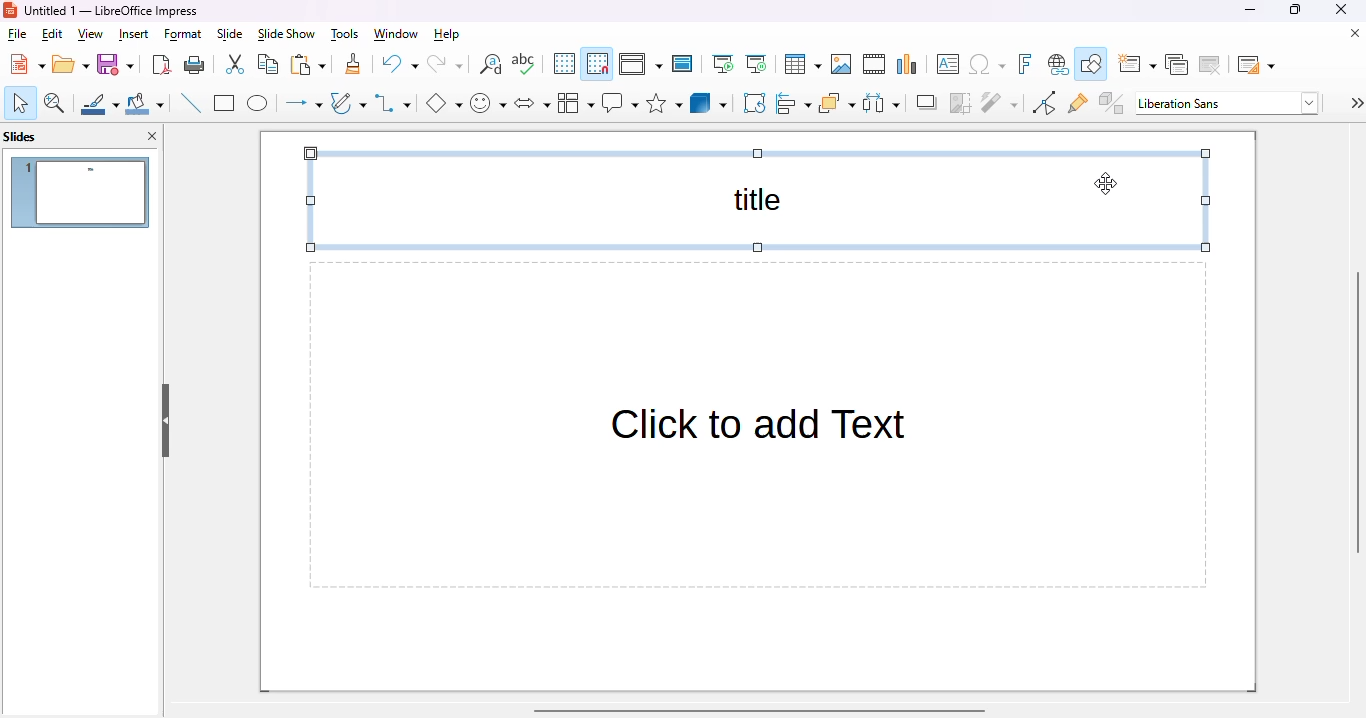 The height and width of the screenshot is (718, 1366). Describe the element at coordinates (99, 103) in the screenshot. I see `line color` at that location.